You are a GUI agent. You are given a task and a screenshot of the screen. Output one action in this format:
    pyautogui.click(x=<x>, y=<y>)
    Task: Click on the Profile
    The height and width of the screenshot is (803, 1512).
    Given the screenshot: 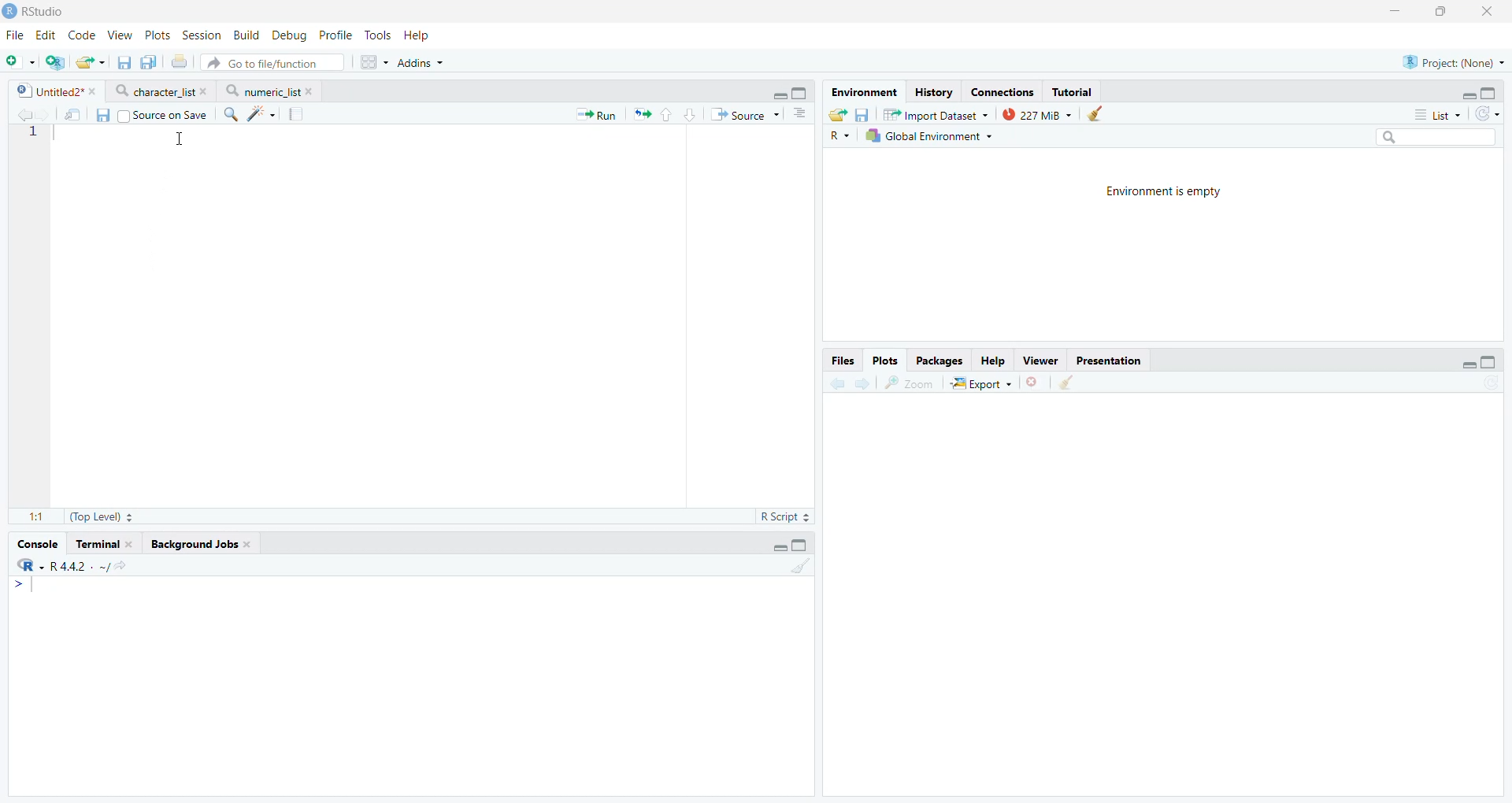 What is the action you would take?
    pyautogui.click(x=335, y=35)
    